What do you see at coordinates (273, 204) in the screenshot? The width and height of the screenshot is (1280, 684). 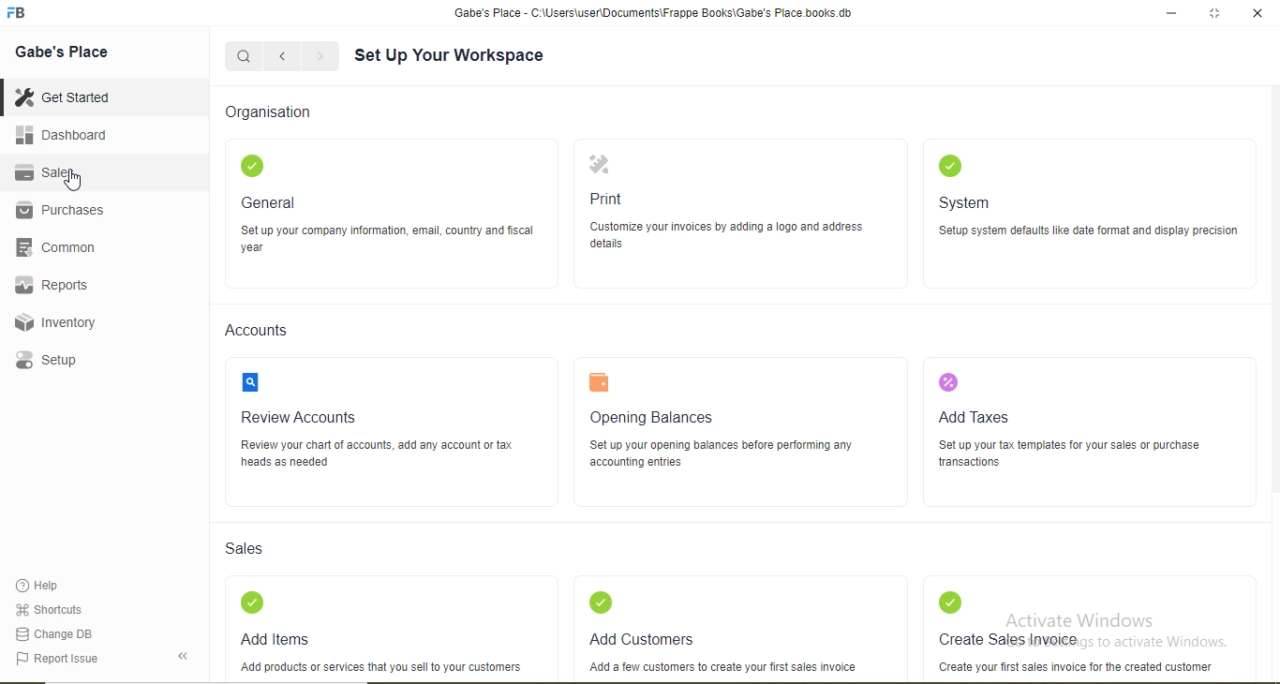 I see `General` at bounding box center [273, 204].